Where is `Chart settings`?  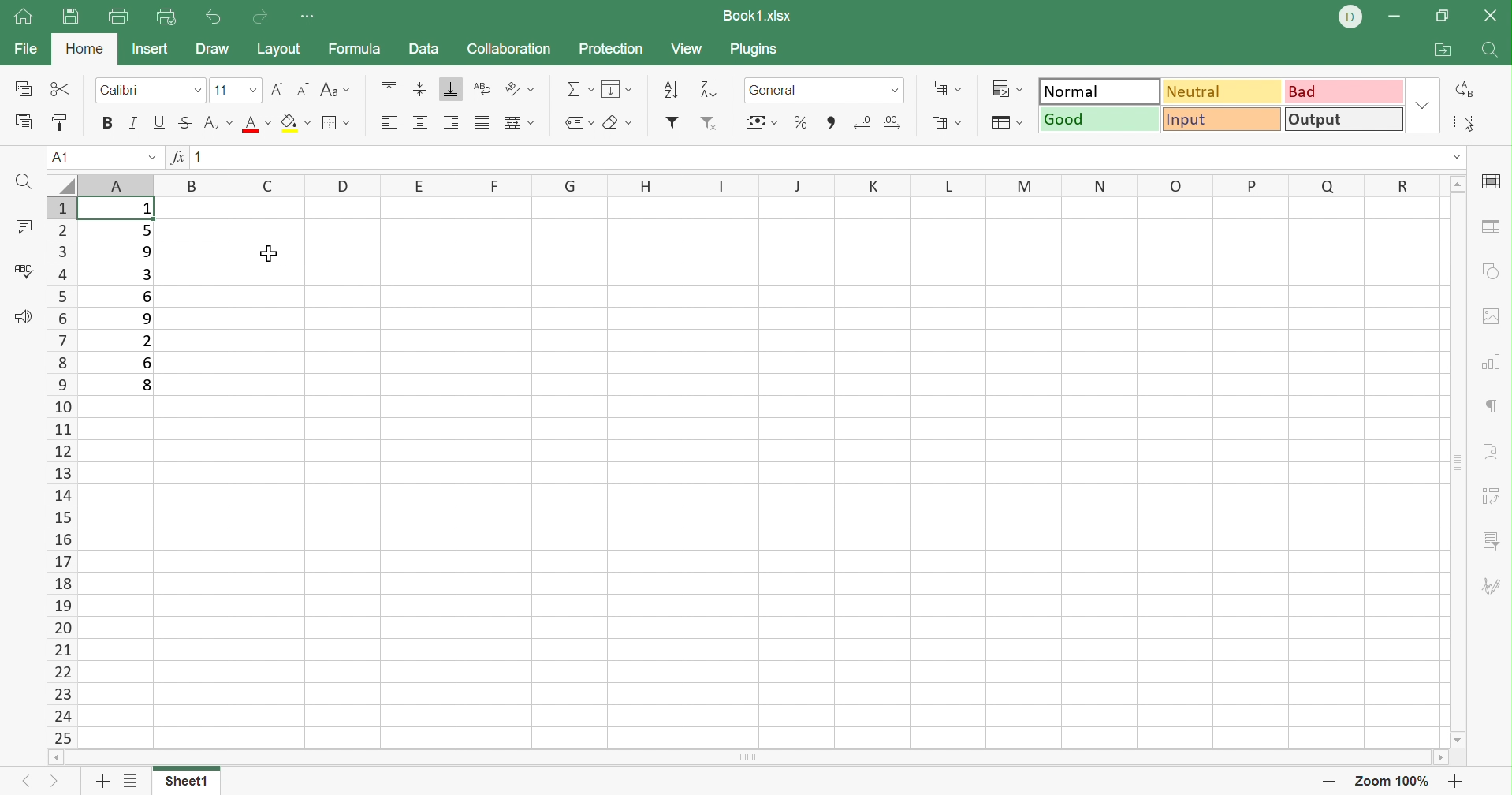
Chart settings is located at coordinates (1495, 361).